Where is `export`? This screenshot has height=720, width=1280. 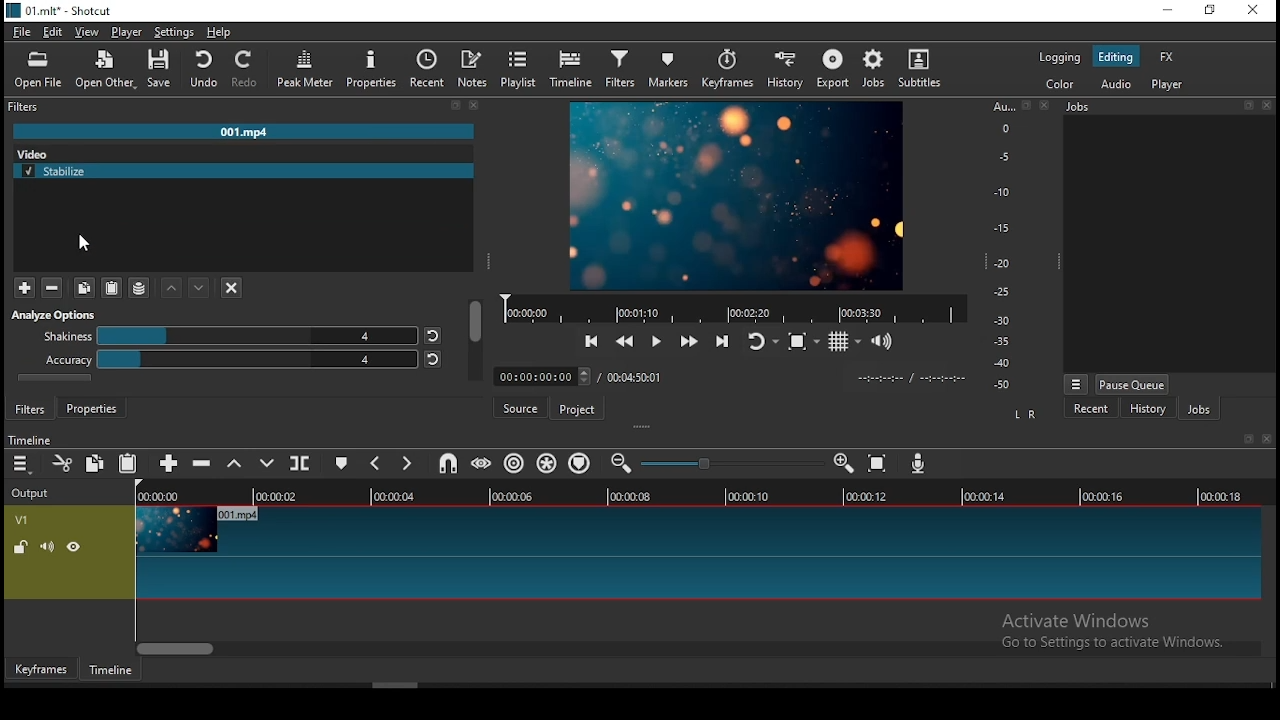
export is located at coordinates (831, 69).